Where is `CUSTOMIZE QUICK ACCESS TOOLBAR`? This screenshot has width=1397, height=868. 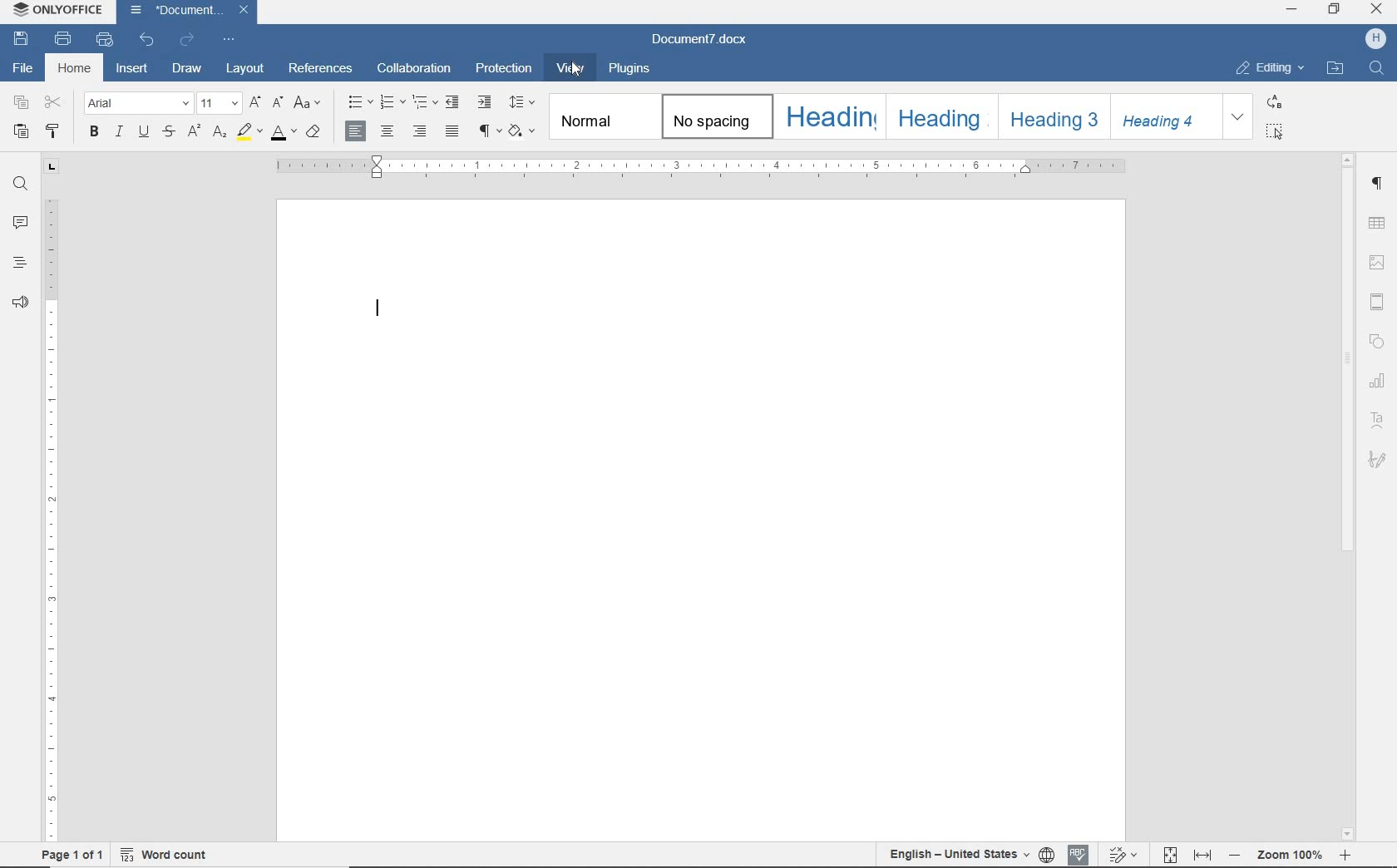 CUSTOMIZE QUICK ACCESS TOOLBAR is located at coordinates (230, 40).